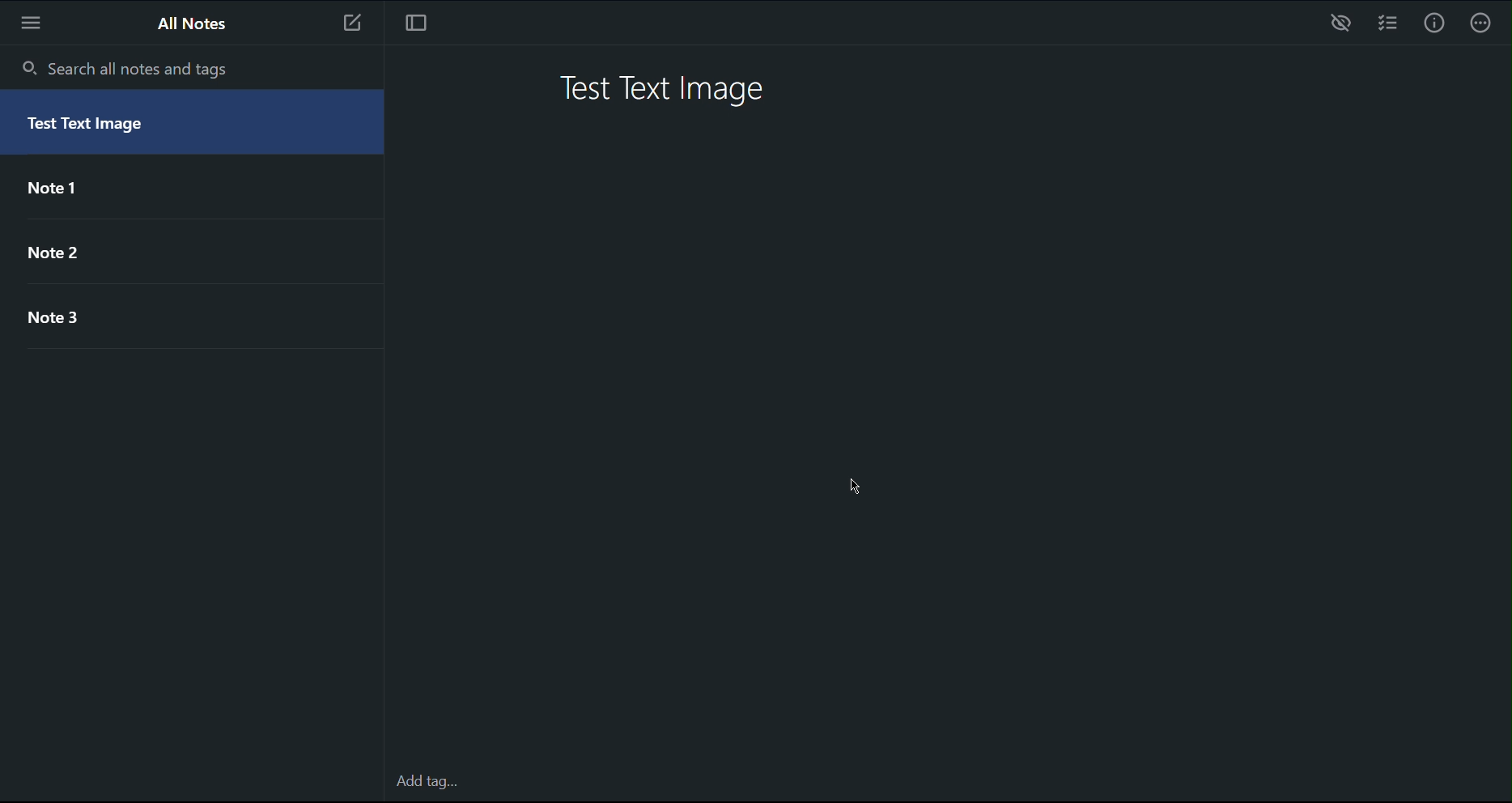 Image resolution: width=1512 pixels, height=803 pixels. Describe the element at coordinates (124, 65) in the screenshot. I see `Search all notes and tags` at that location.